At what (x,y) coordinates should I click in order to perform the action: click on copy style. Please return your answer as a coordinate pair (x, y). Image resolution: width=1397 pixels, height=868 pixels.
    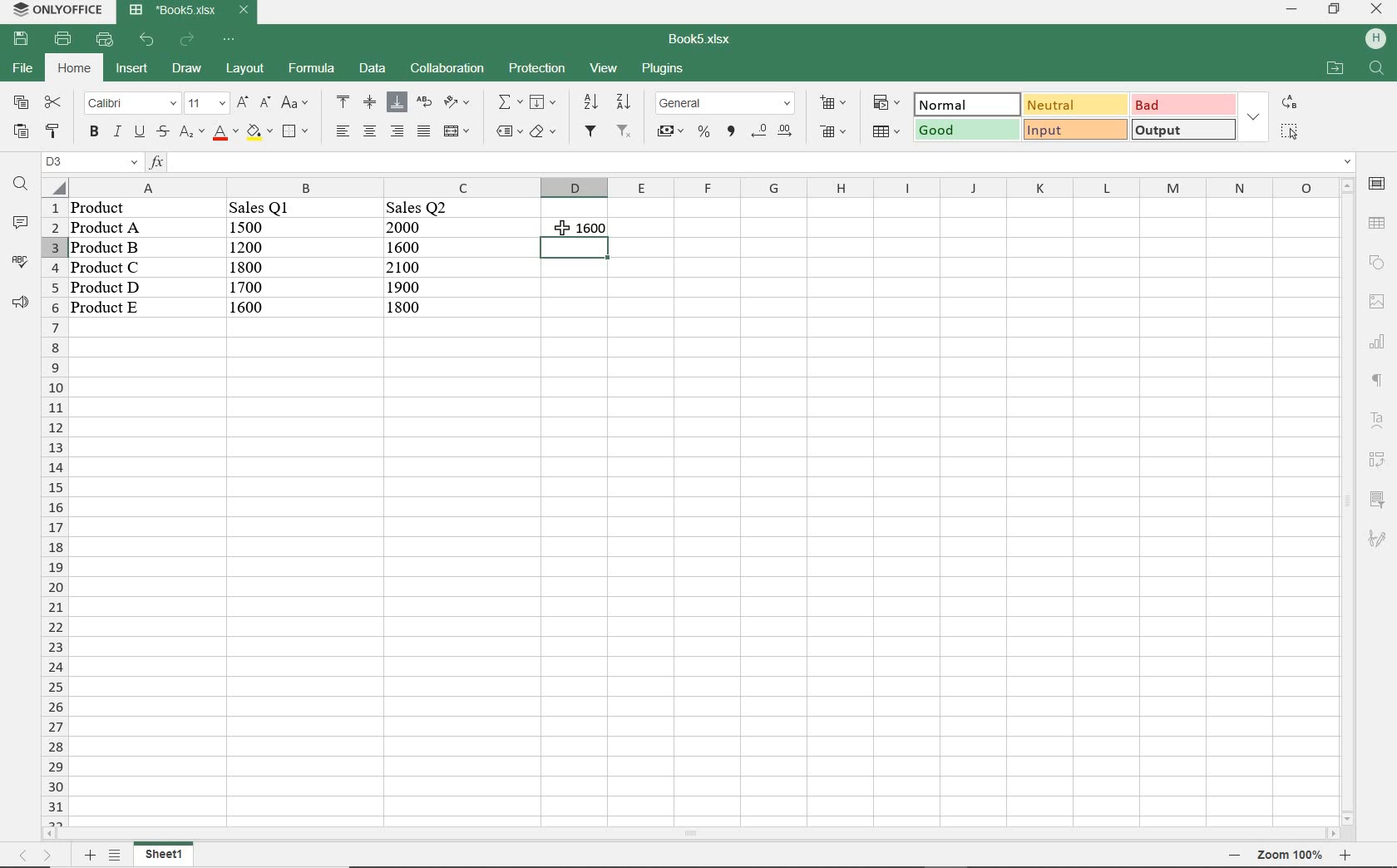
    Looking at the image, I should click on (51, 131).